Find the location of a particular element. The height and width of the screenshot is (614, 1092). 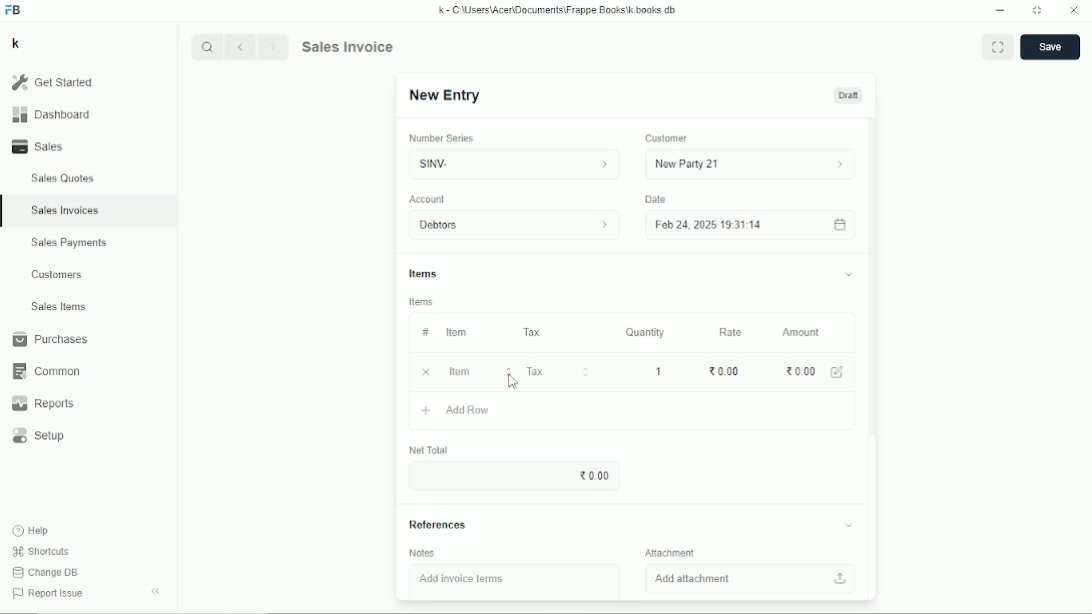

Tax is located at coordinates (560, 371).